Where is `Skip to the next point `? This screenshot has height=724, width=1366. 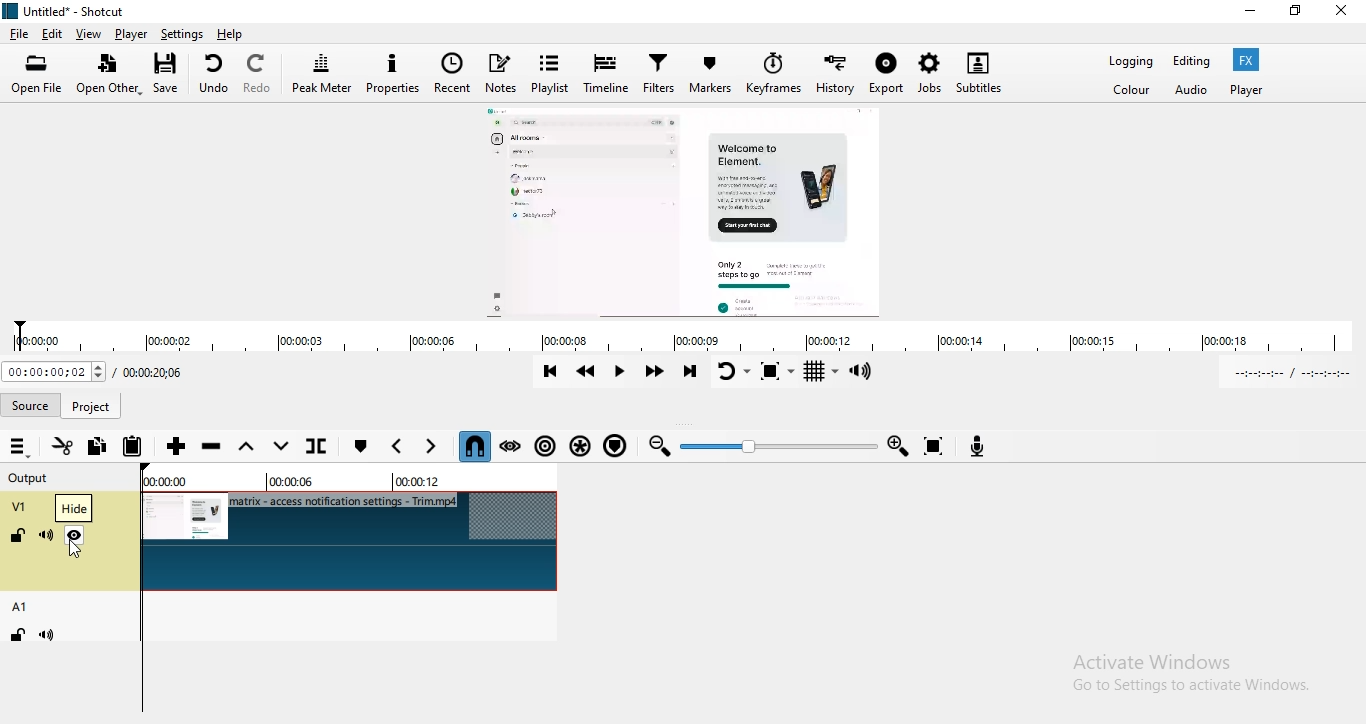
Skip to the next point  is located at coordinates (692, 373).